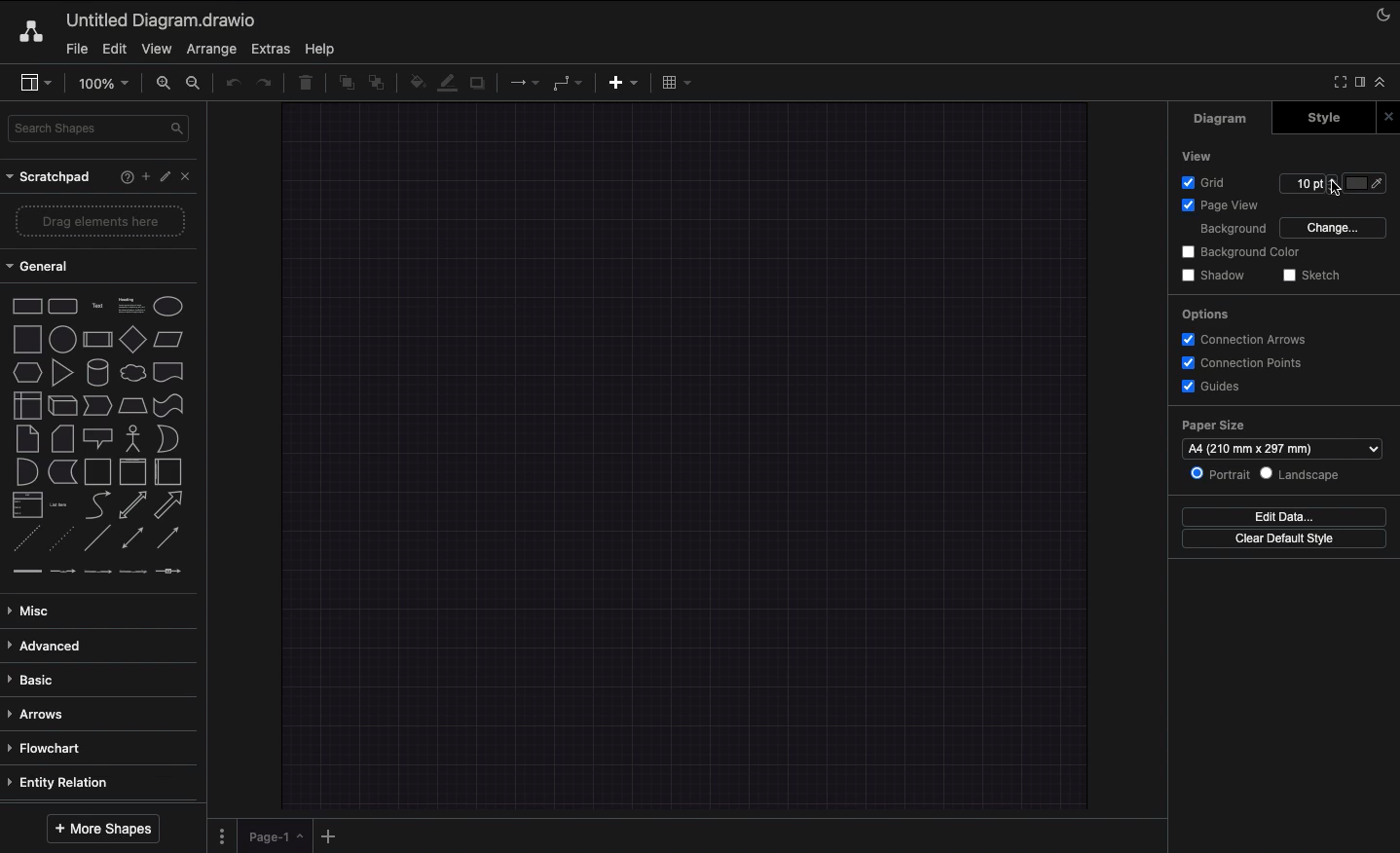 The image size is (1400, 853). What do you see at coordinates (273, 49) in the screenshot?
I see `Extras` at bounding box center [273, 49].